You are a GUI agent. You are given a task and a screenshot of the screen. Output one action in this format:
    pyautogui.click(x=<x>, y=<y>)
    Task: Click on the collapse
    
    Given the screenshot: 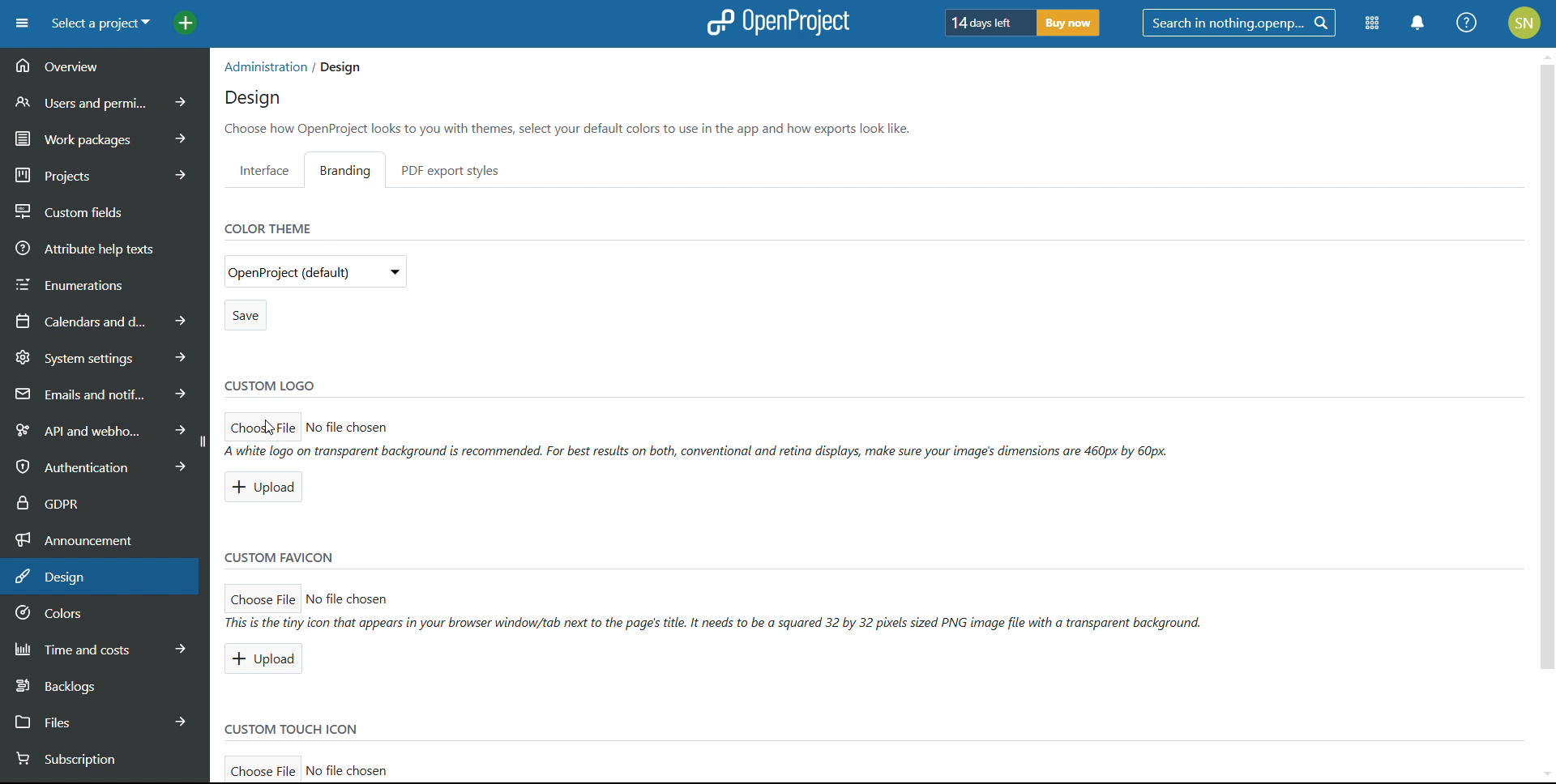 What is the action you would take?
    pyautogui.click(x=202, y=441)
    